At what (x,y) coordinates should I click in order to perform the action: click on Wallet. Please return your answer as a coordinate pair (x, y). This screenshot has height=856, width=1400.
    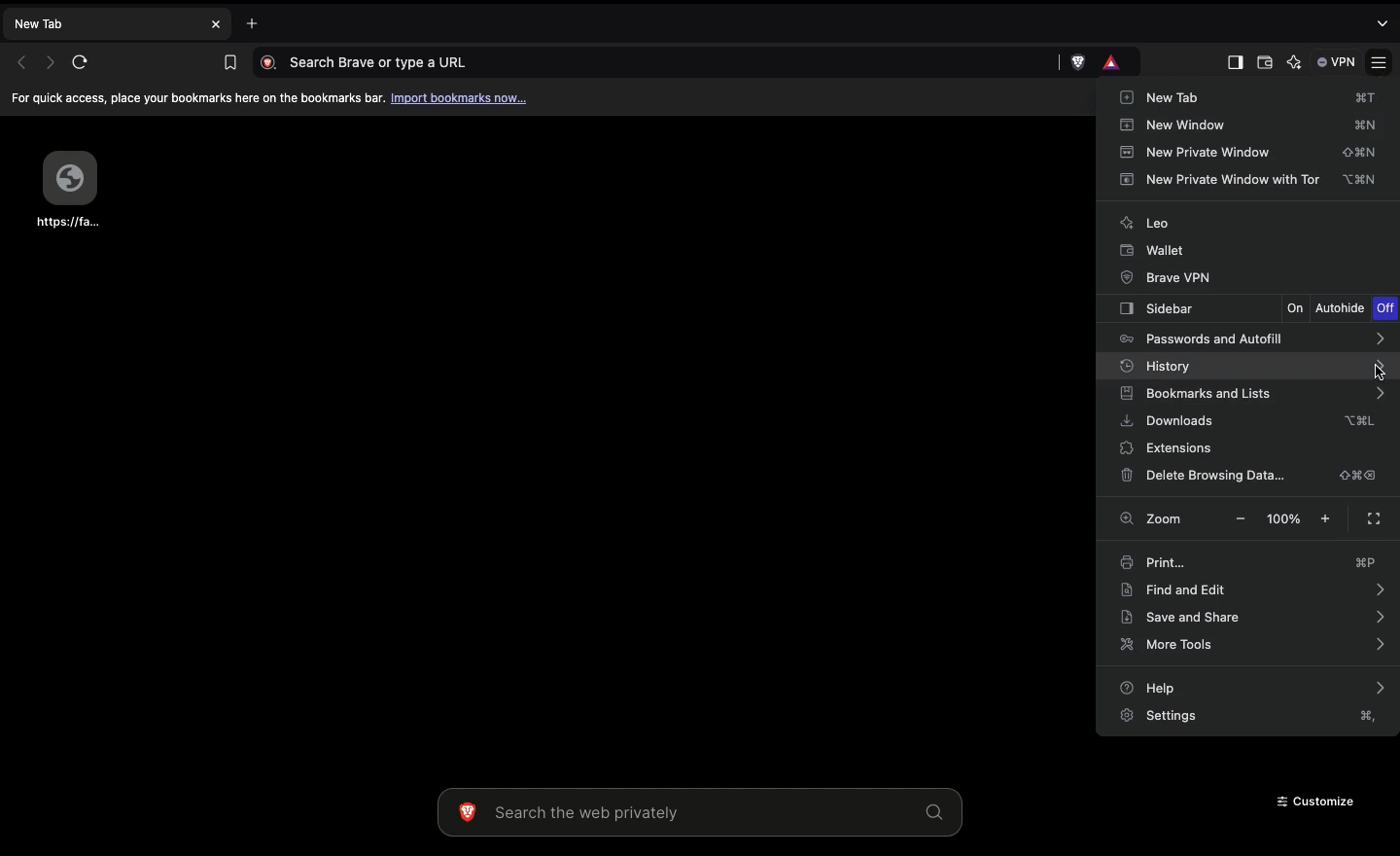
    Looking at the image, I should click on (1148, 253).